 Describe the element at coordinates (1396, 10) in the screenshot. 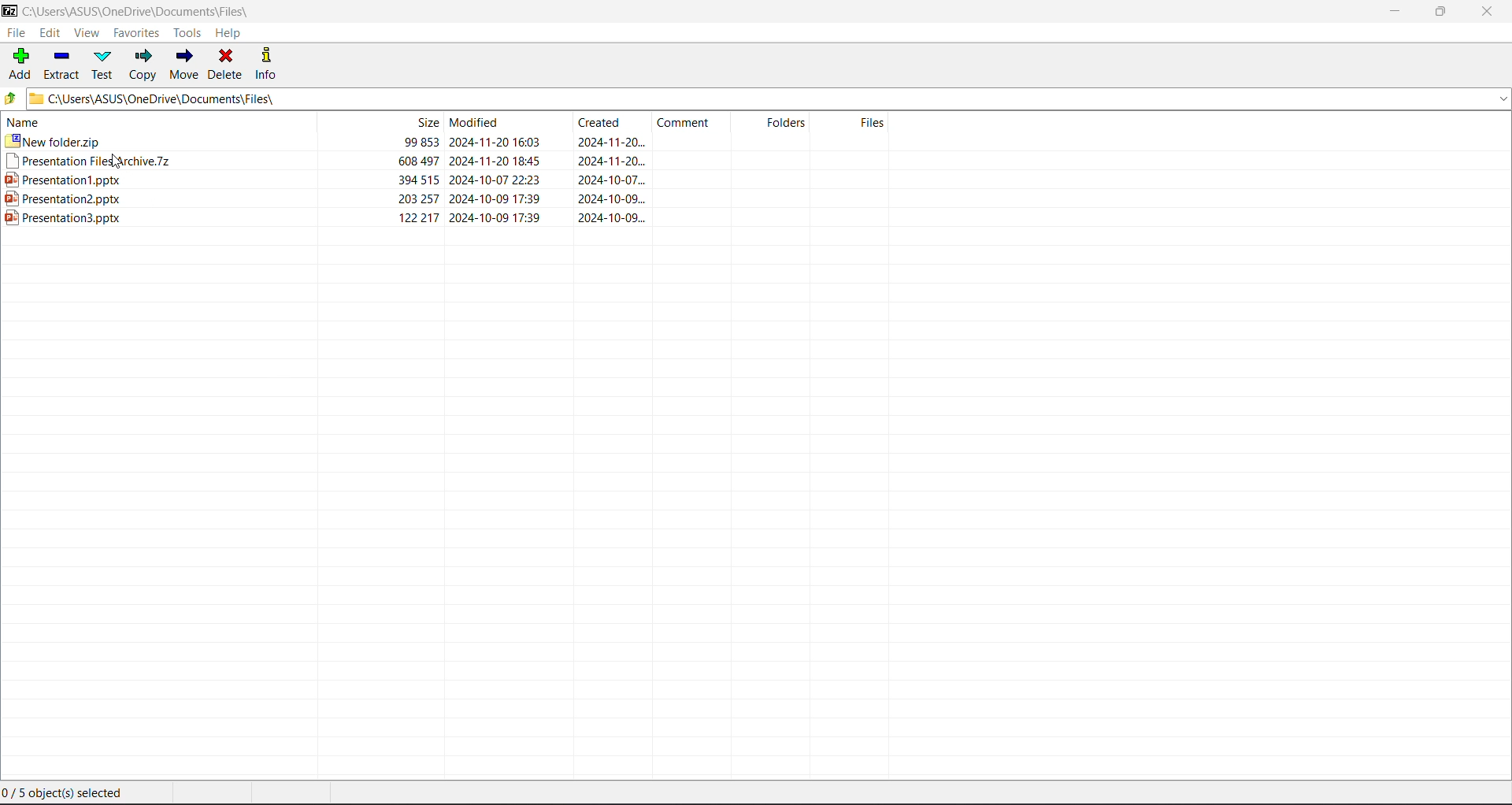

I see `Minimize` at that location.